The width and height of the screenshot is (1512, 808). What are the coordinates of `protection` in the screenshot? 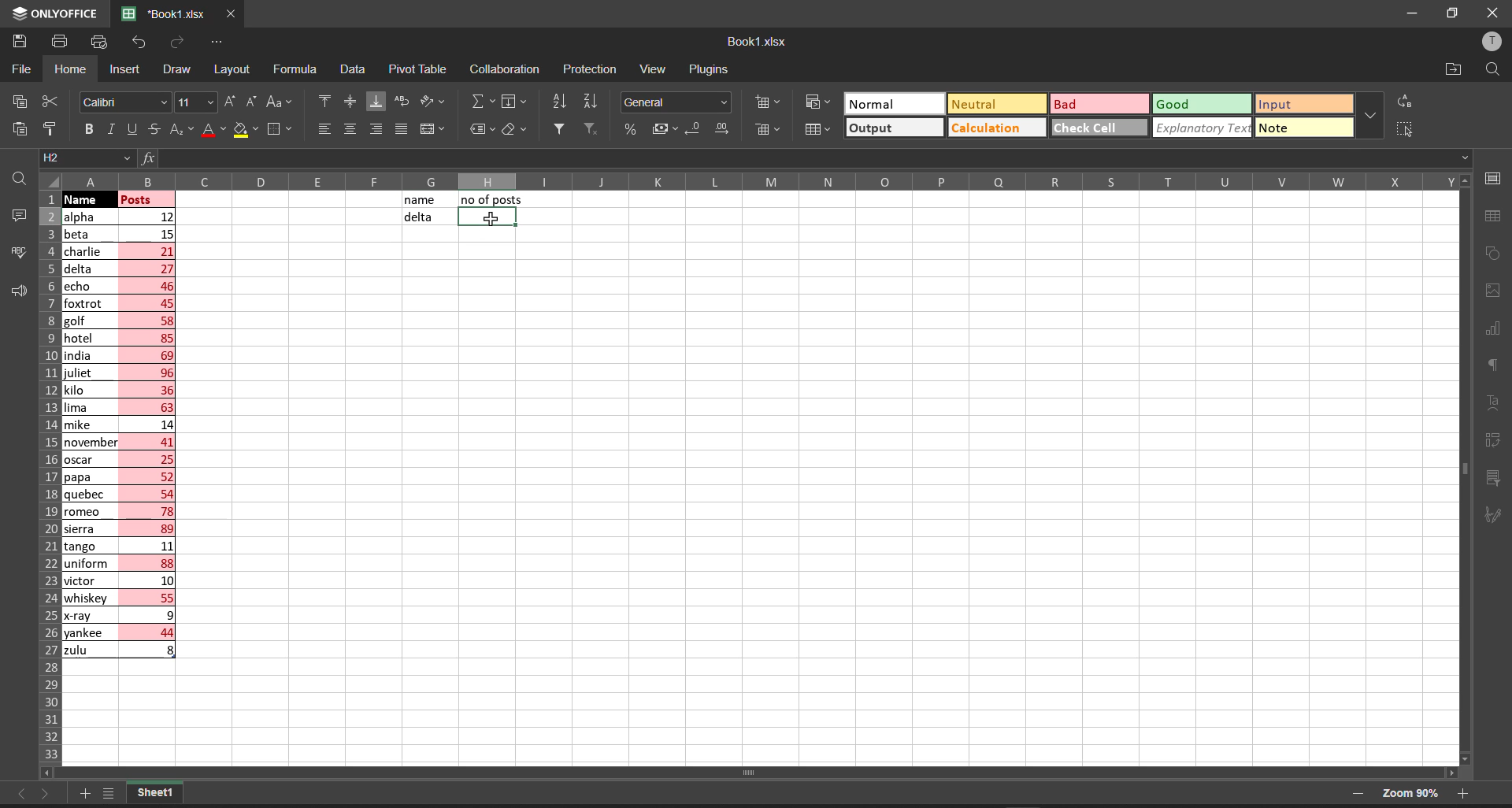 It's located at (594, 69).